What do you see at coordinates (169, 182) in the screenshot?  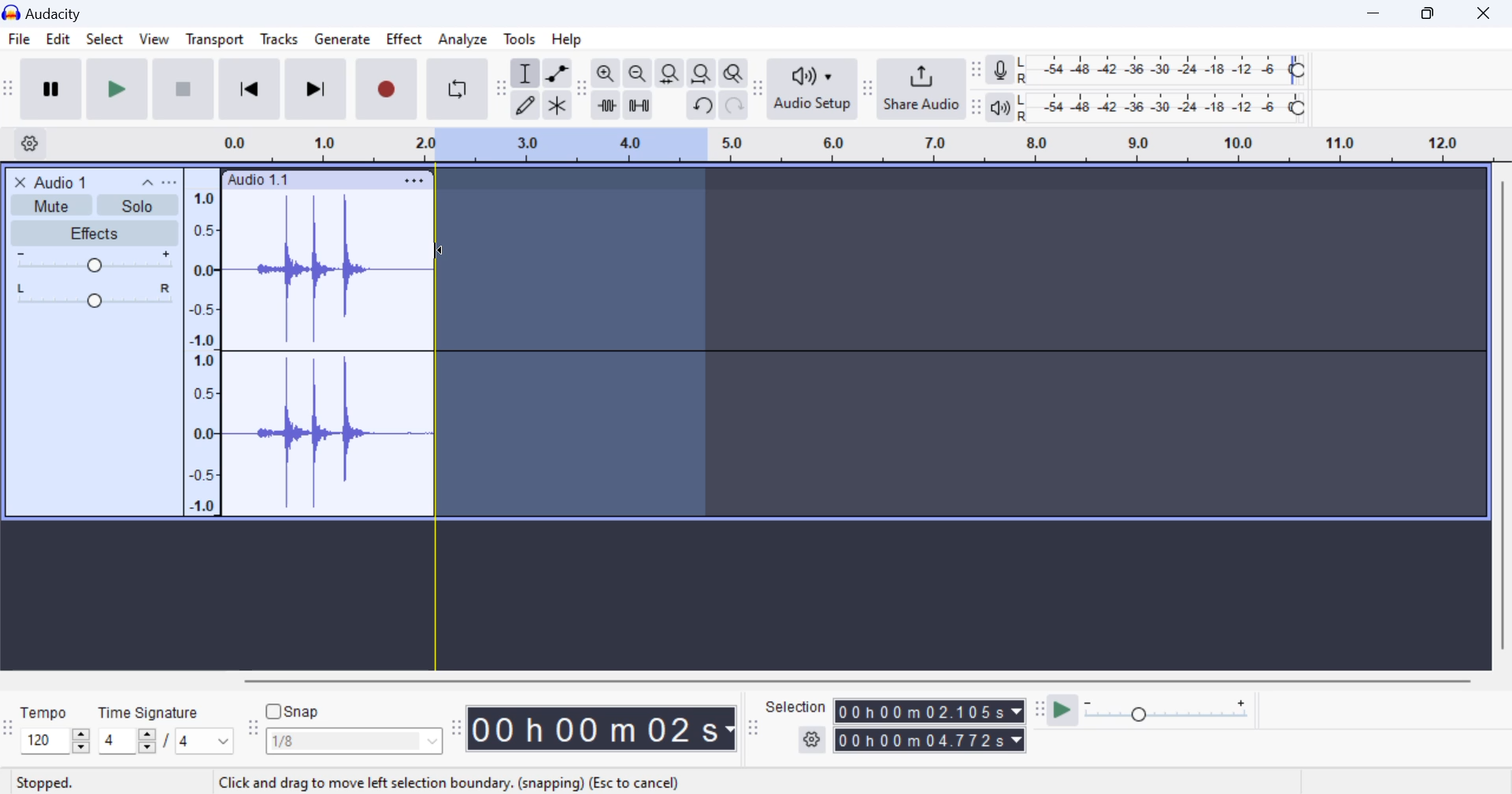 I see `open menu` at bounding box center [169, 182].